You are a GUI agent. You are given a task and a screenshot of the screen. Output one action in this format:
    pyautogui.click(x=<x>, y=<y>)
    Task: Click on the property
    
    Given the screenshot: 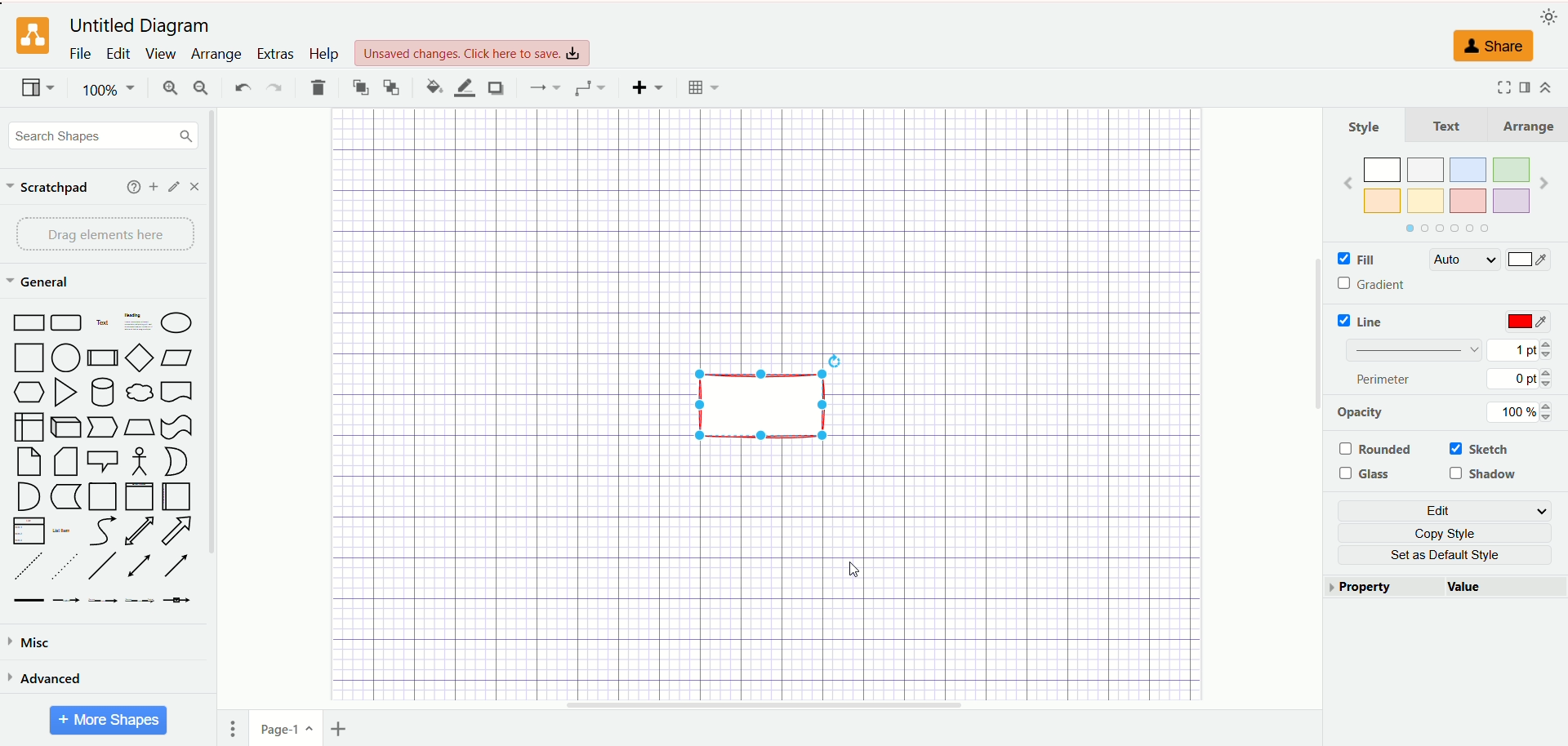 What is the action you would take?
    pyautogui.click(x=1386, y=588)
    